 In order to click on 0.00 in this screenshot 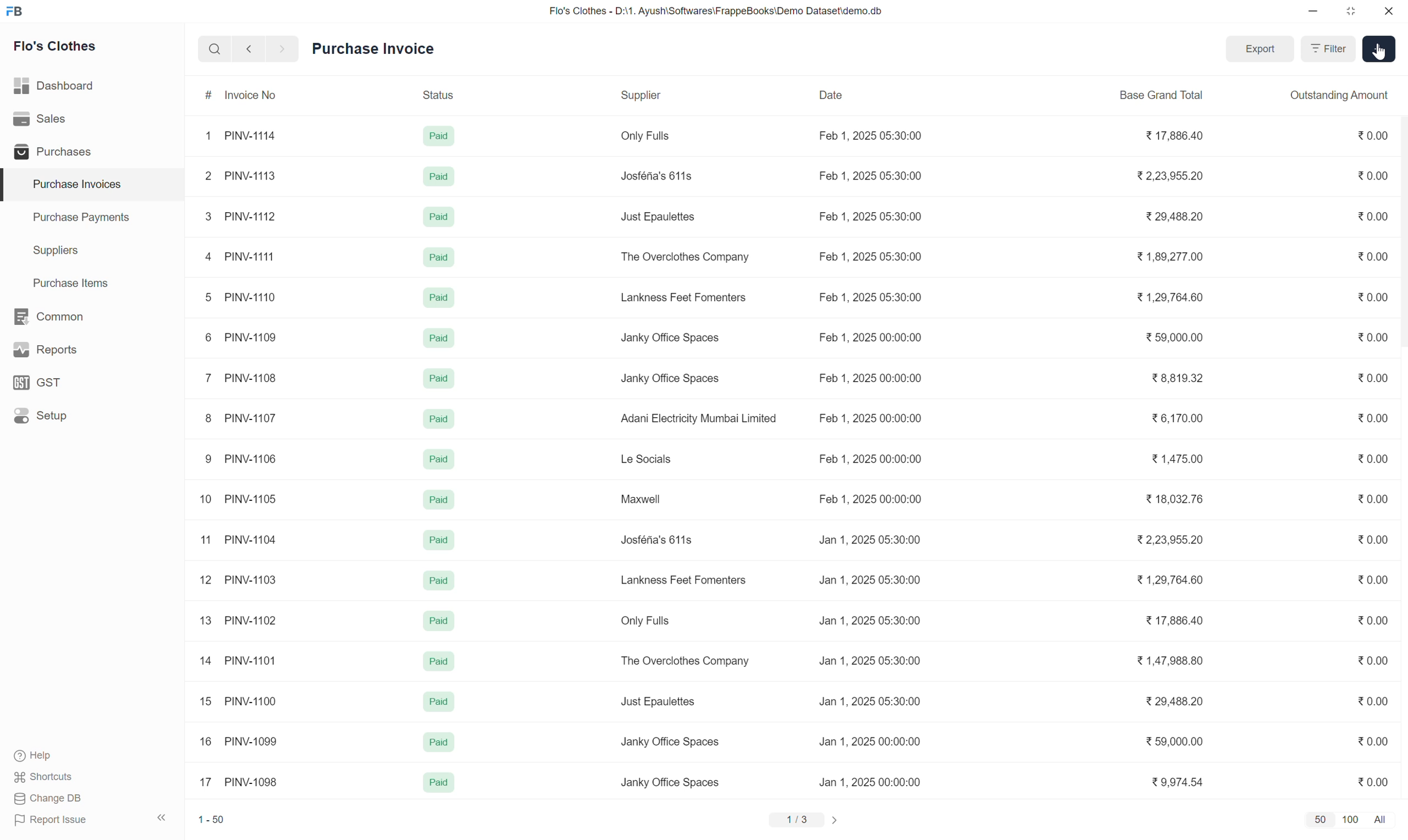, I will do `click(1372, 620)`.